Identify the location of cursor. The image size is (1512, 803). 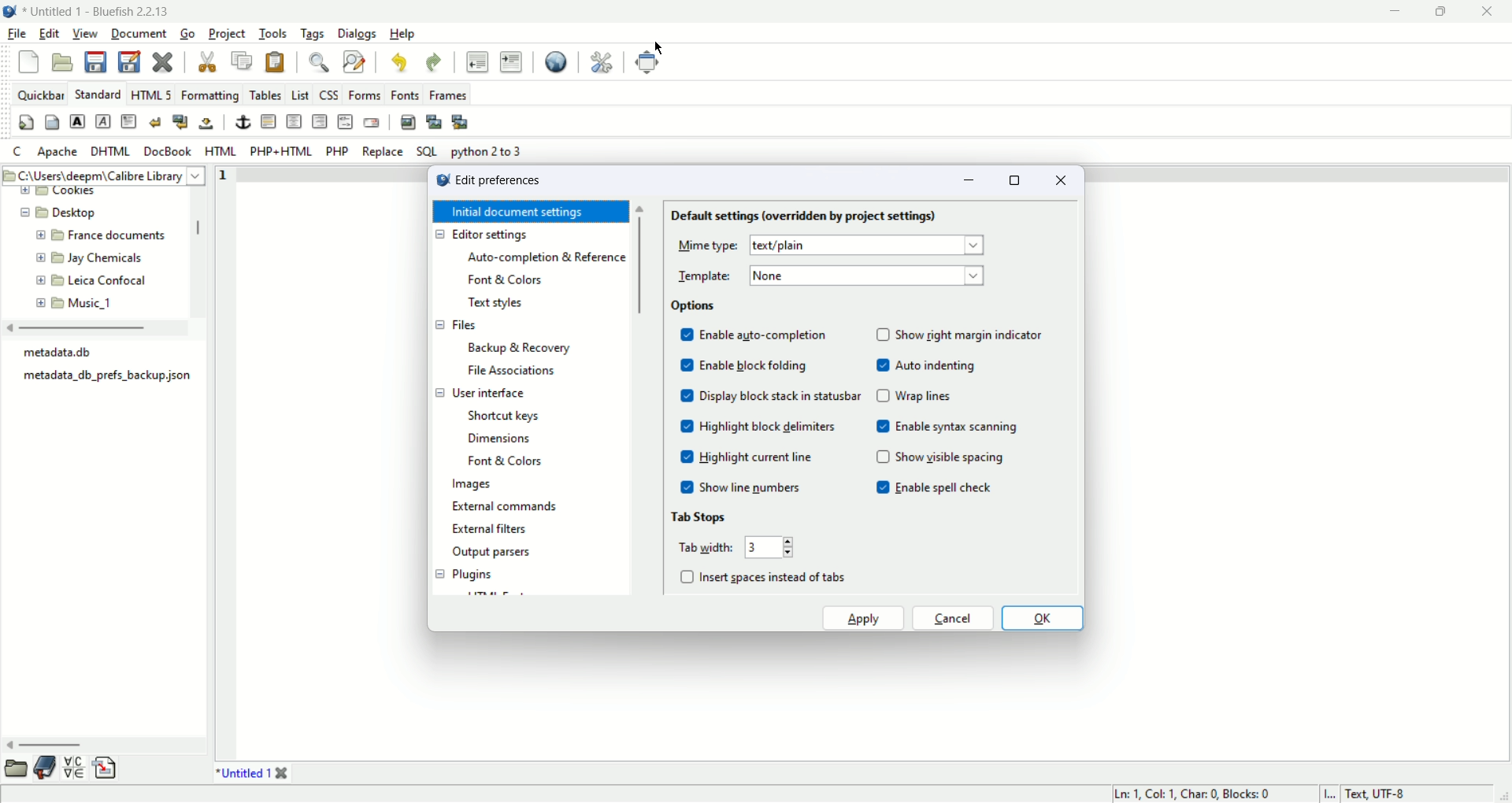
(659, 46).